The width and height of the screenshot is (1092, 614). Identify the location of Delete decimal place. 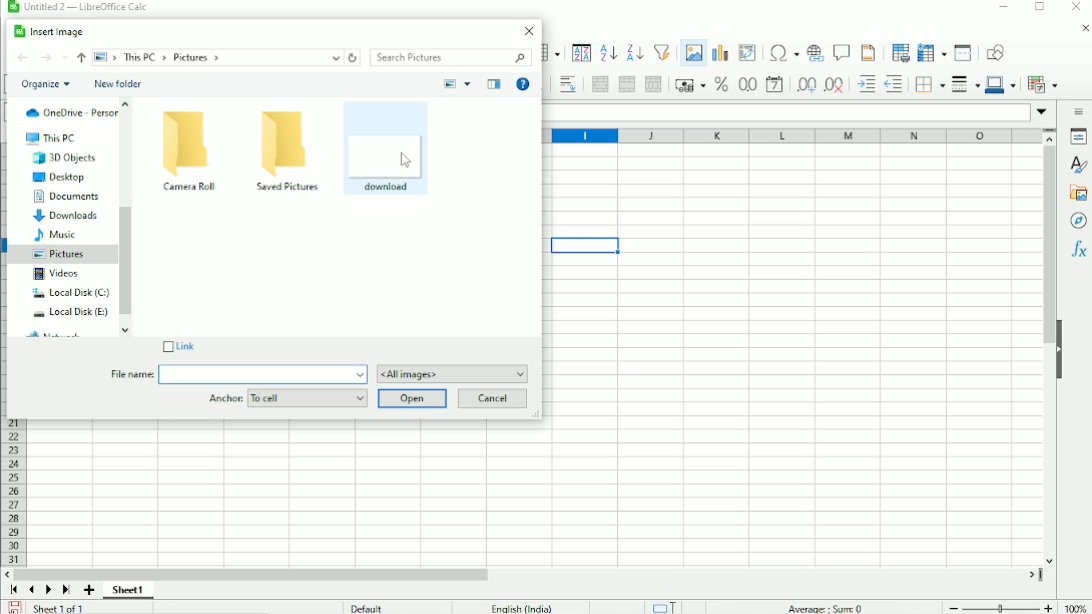
(832, 86).